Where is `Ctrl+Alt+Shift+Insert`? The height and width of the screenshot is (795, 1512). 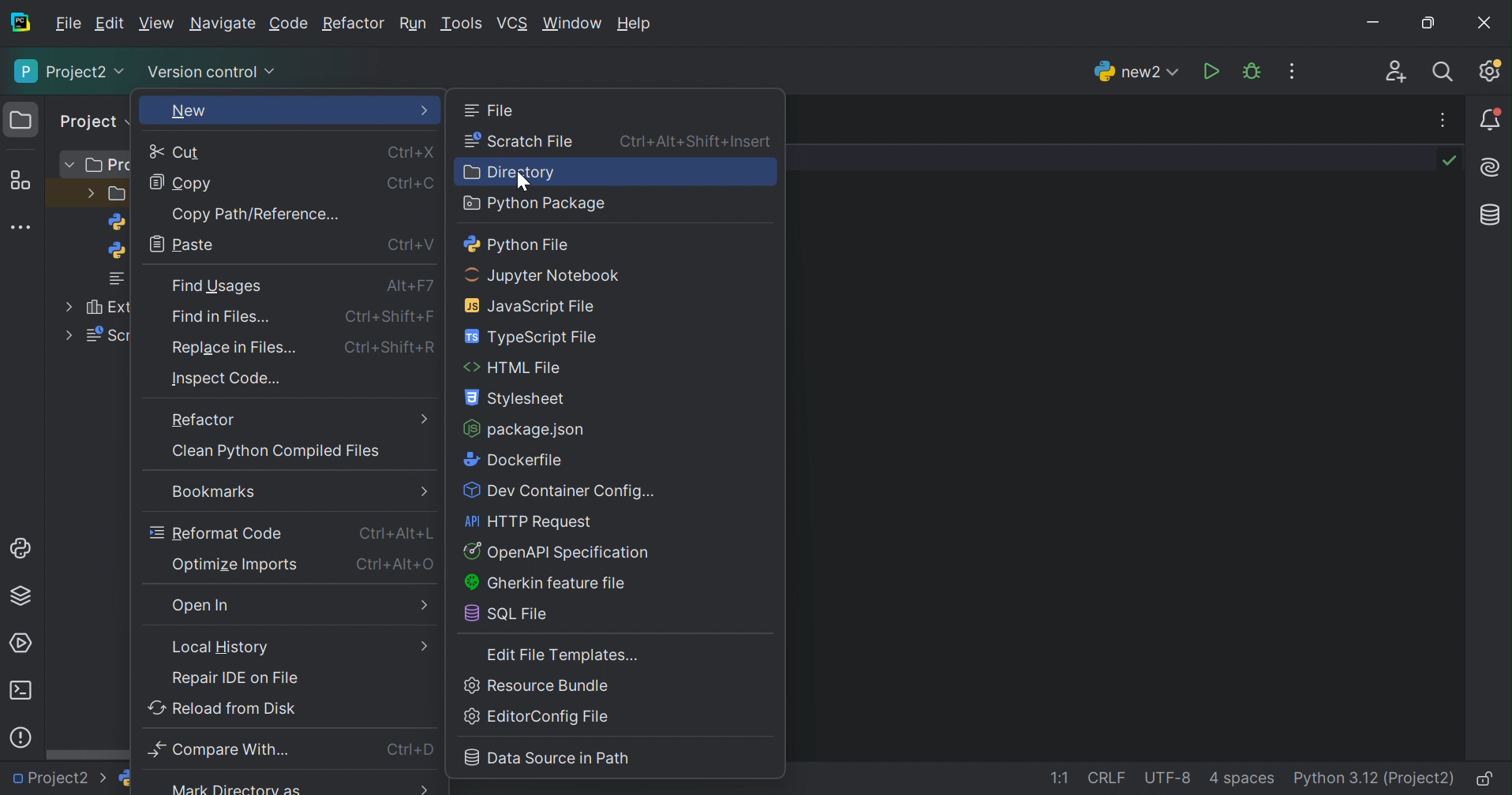
Ctrl+Alt+Shift+Insert is located at coordinates (696, 141).